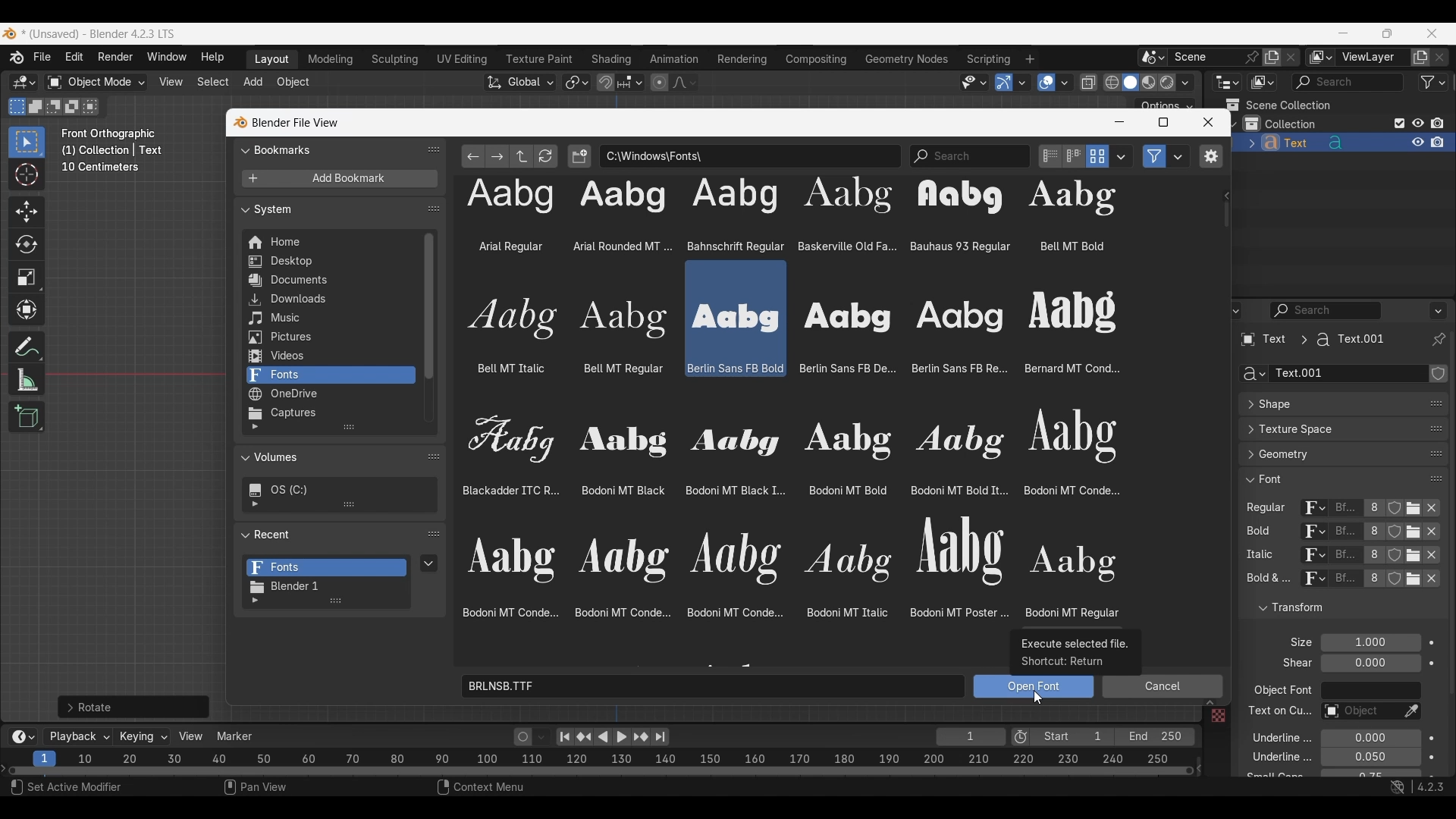 The width and height of the screenshot is (1456, 819). Describe the element at coordinates (26, 311) in the screenshot. I see `Transform` at that location.